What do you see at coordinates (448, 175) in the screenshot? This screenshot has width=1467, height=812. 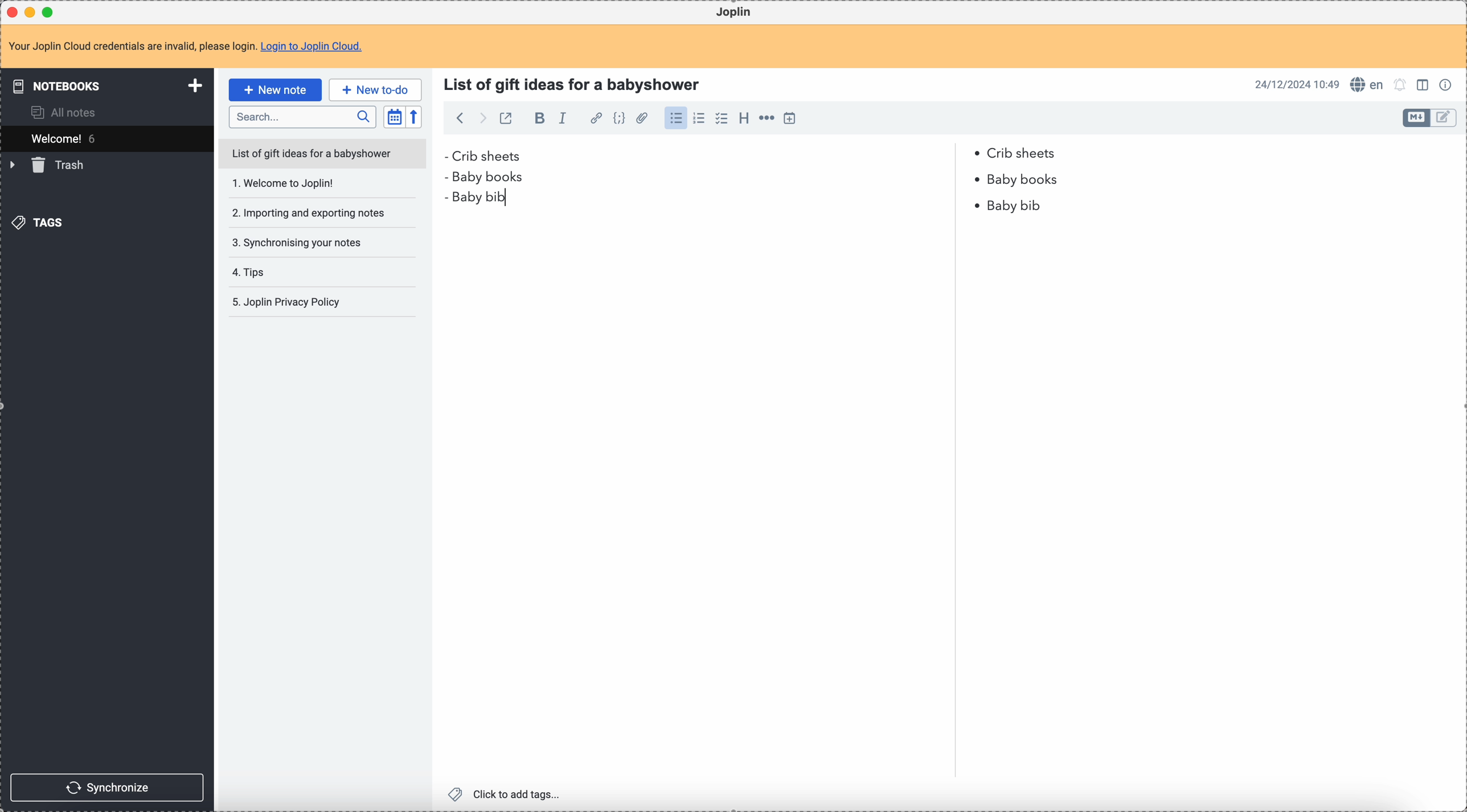 I see `bullet point` at bounding box center [448, 175].